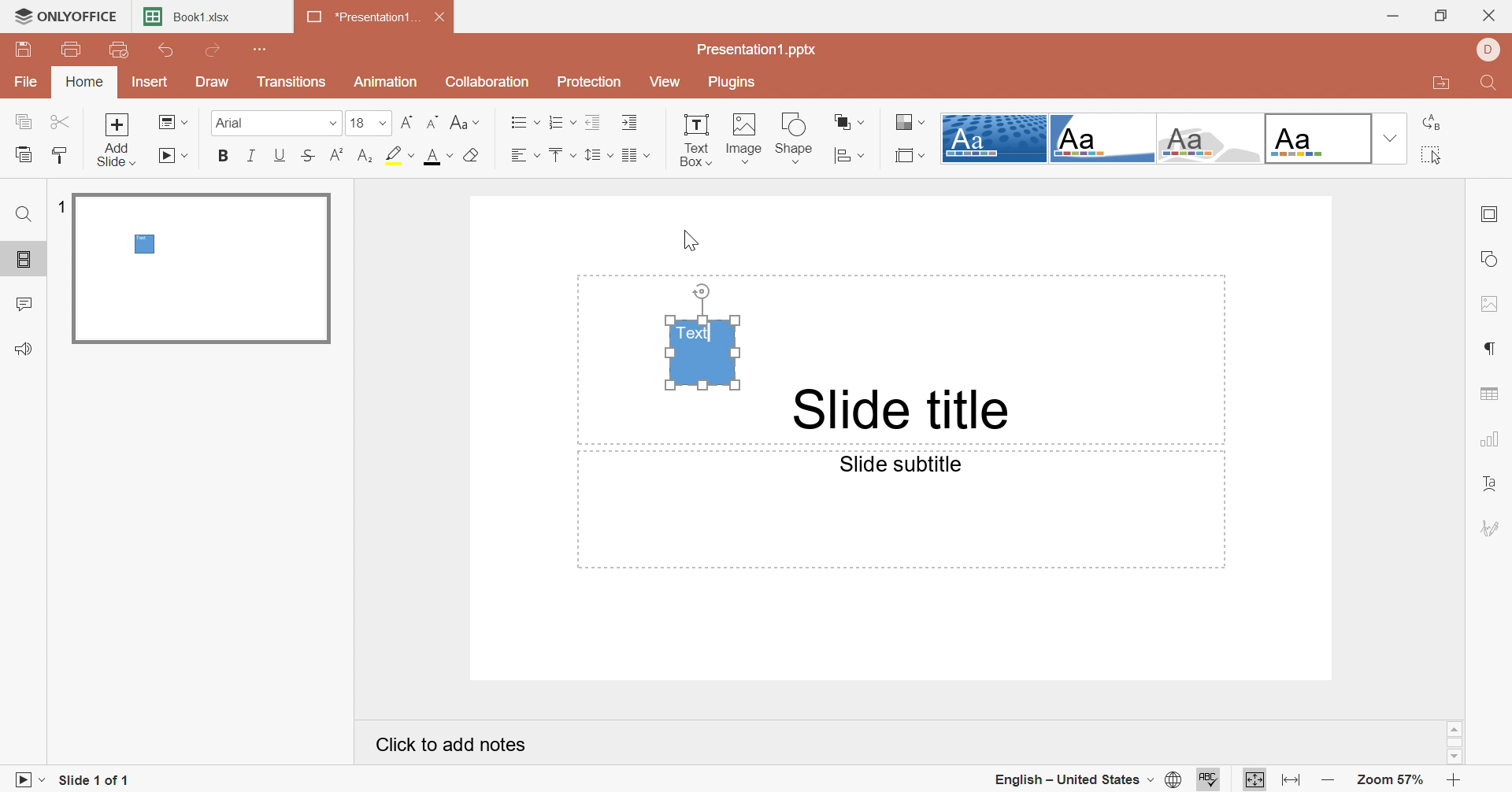 The height and width of the screenshot is (792, 1512). Describe the element at coordinates (1455, 758) in the screenshot. I see `Scroll Down` at that location.